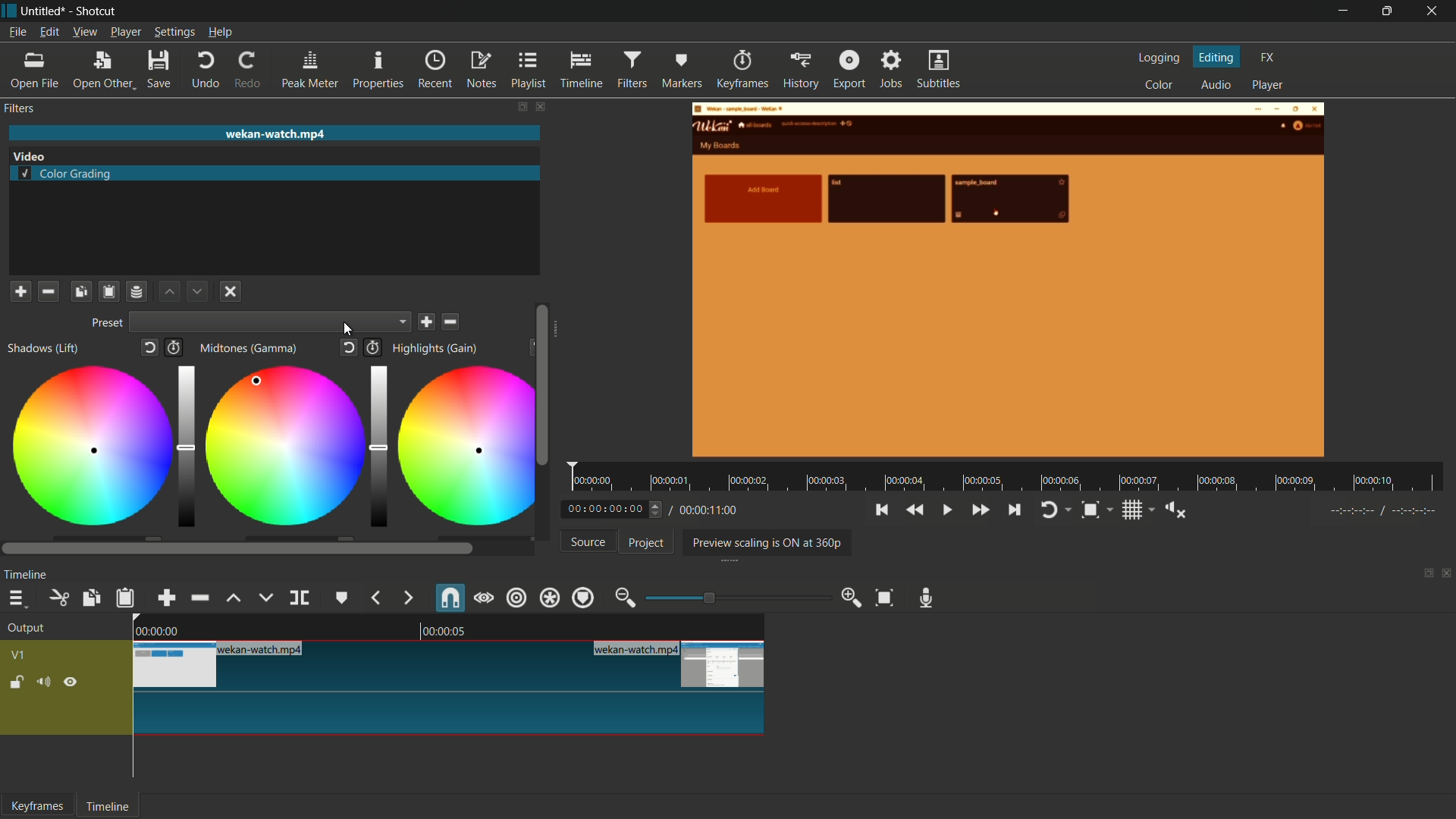 The height and width of the screenshot is (819, 1456). I want to click on keyframes, so click(740, 70).